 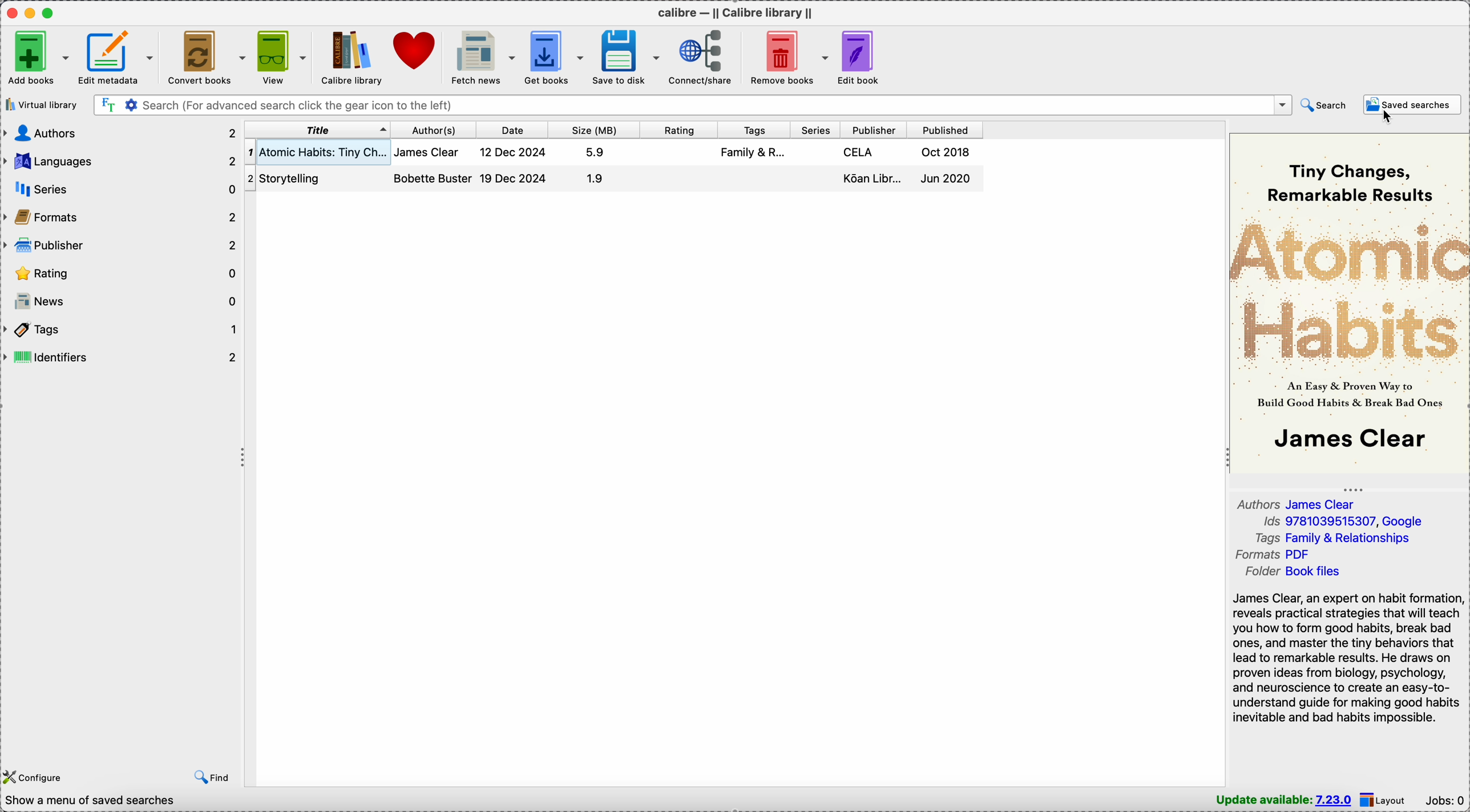 I want to click on size in MB, so click(x=595, y=166).